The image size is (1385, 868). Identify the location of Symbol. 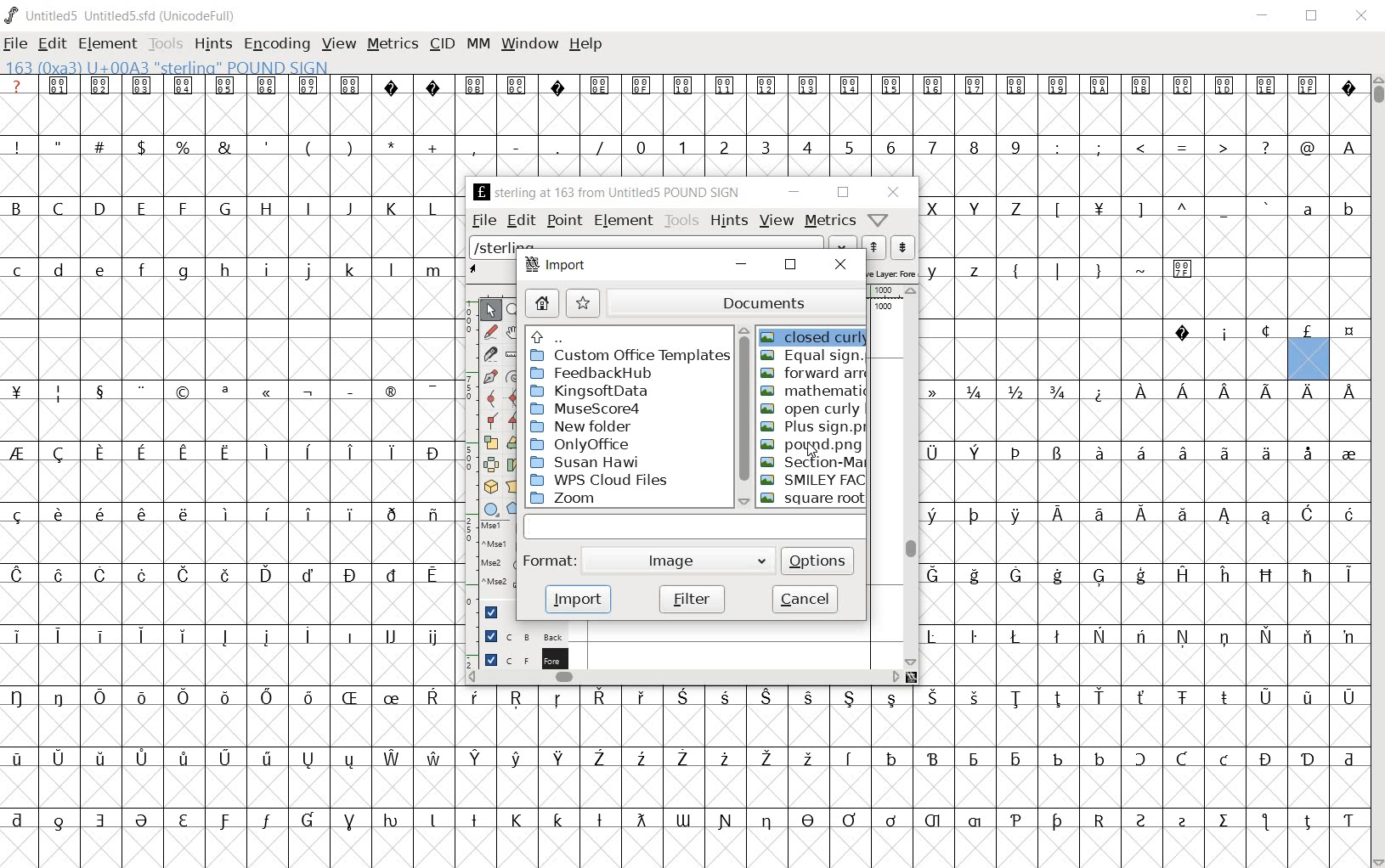
(1138, 453).